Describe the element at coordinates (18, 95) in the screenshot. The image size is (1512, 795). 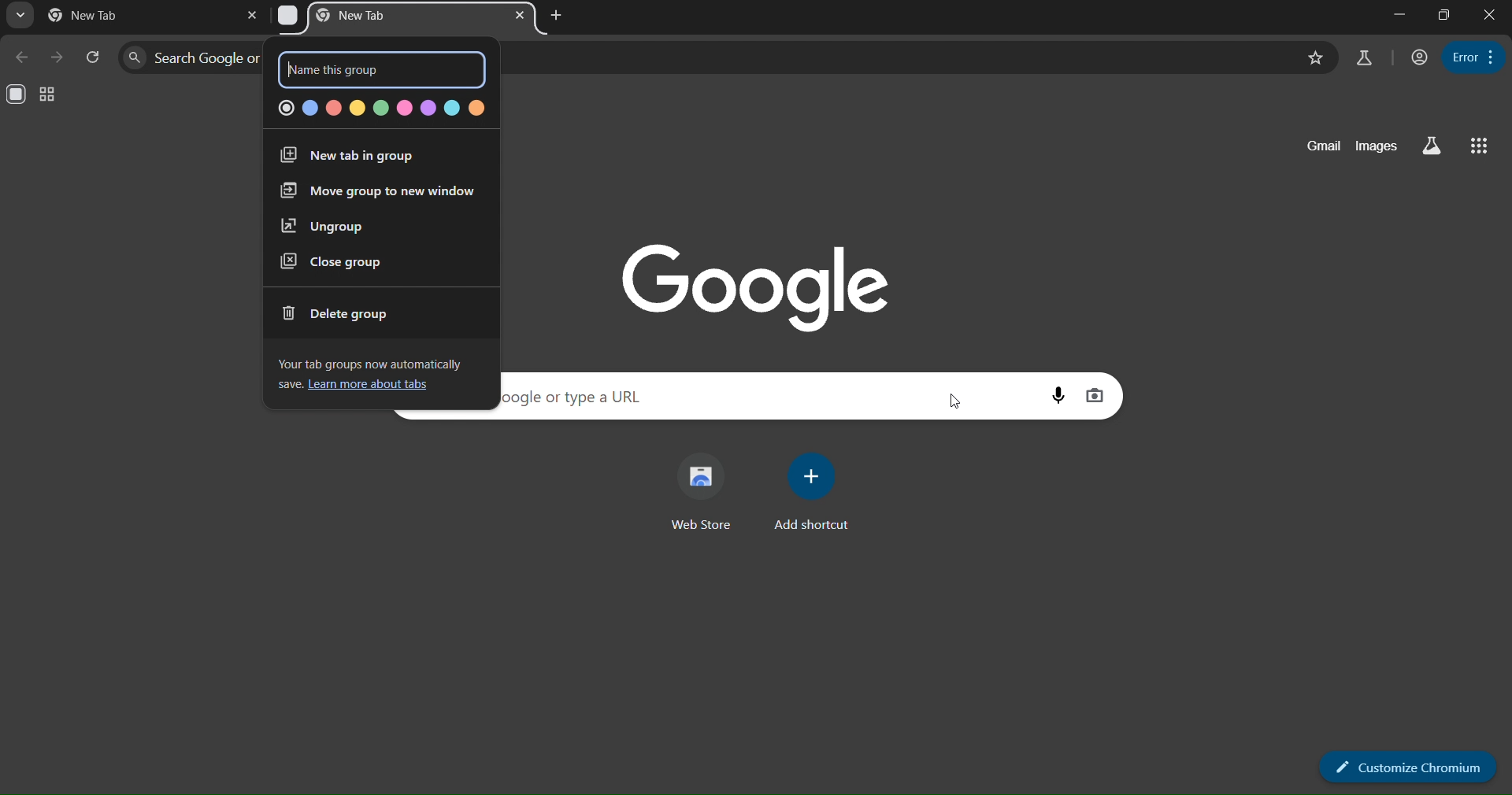
I see `icon` at that location.